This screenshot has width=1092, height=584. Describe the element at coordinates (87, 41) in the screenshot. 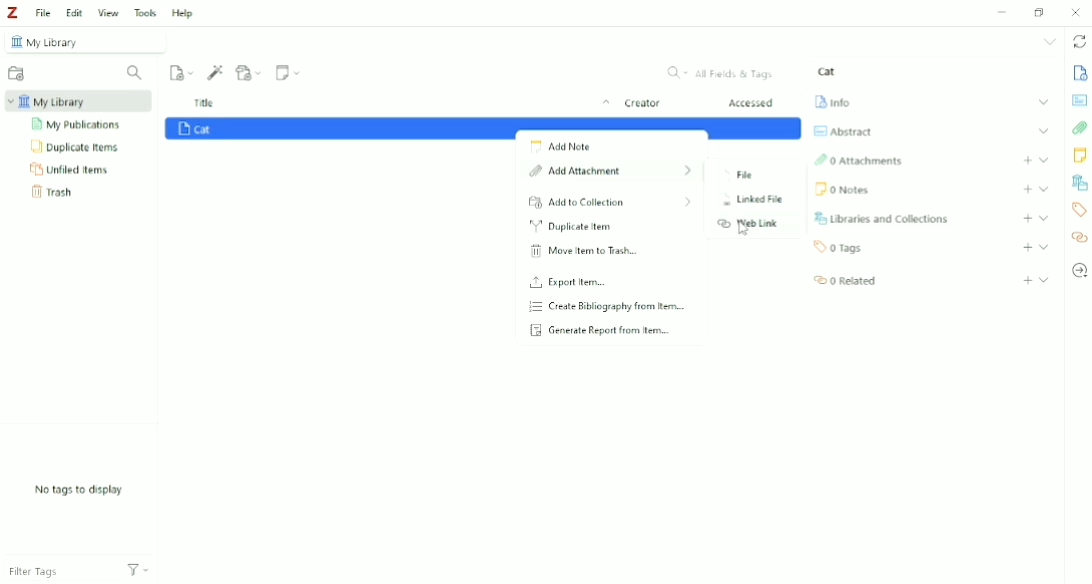

I see `My Library` at that location.